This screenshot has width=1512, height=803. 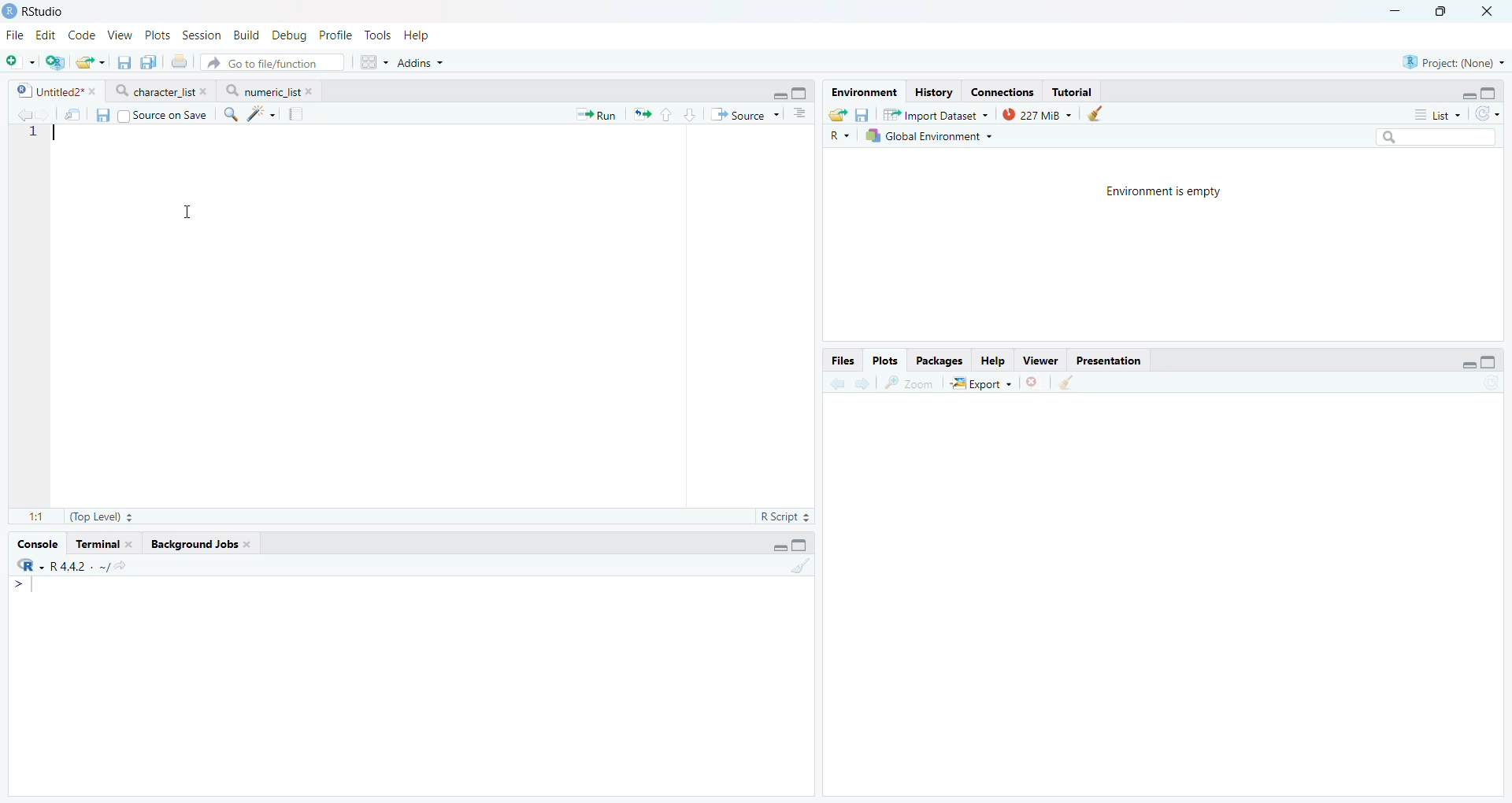 I want to click on Open new file, so click(x=18, y=62).